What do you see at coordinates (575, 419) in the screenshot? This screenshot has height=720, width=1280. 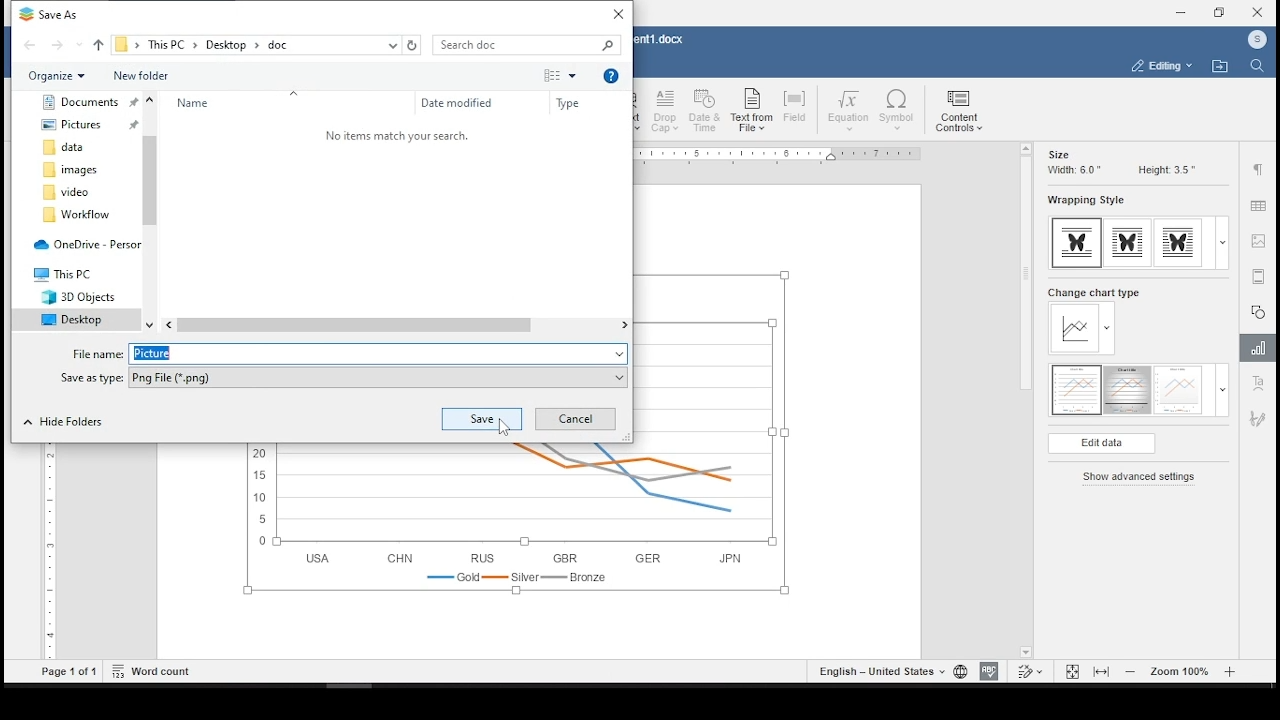 I see `cancel` at bounding box center [575, 419].